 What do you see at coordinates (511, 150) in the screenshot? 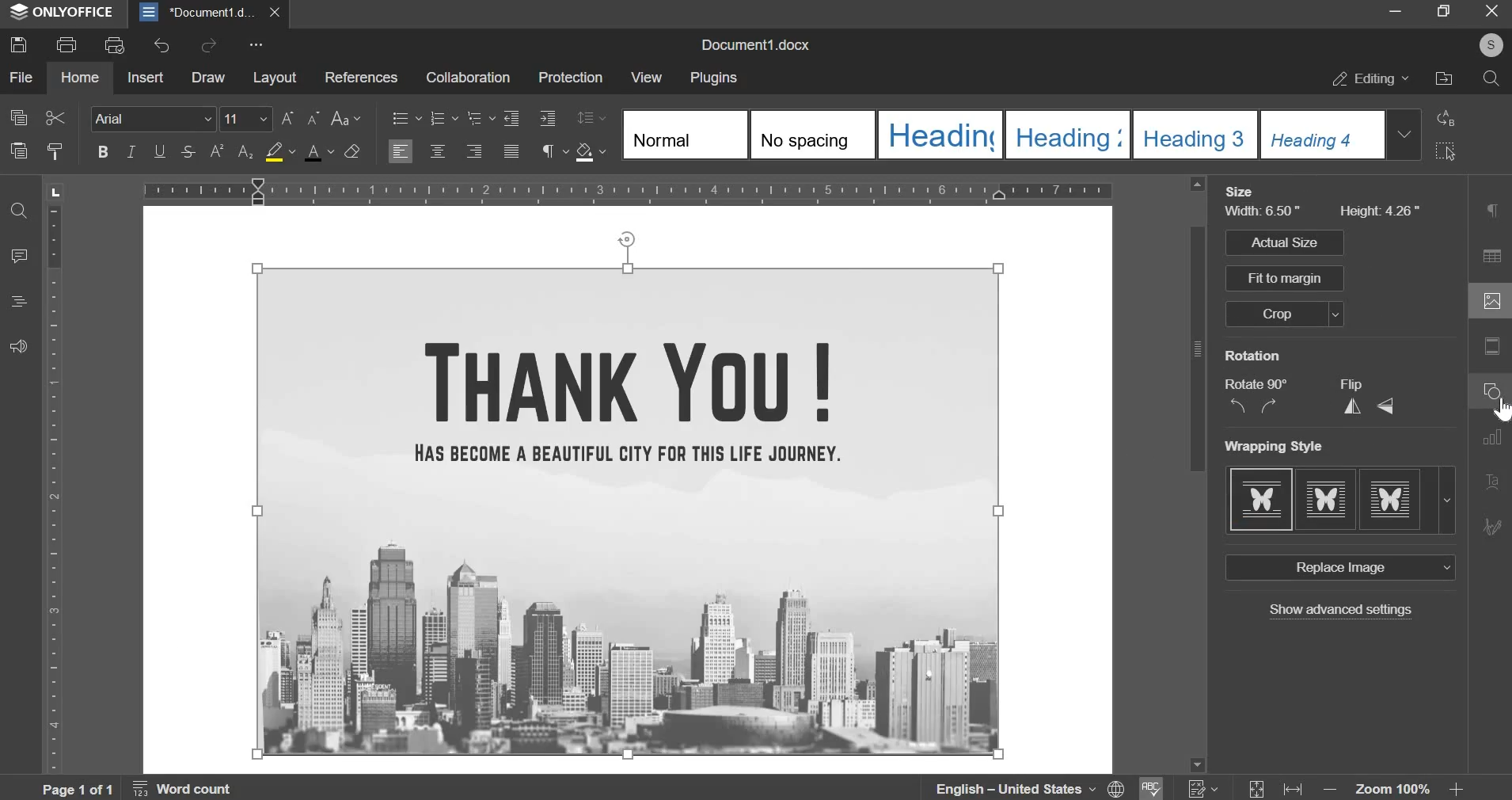
I see `justified` at bounding box center [511, 150].